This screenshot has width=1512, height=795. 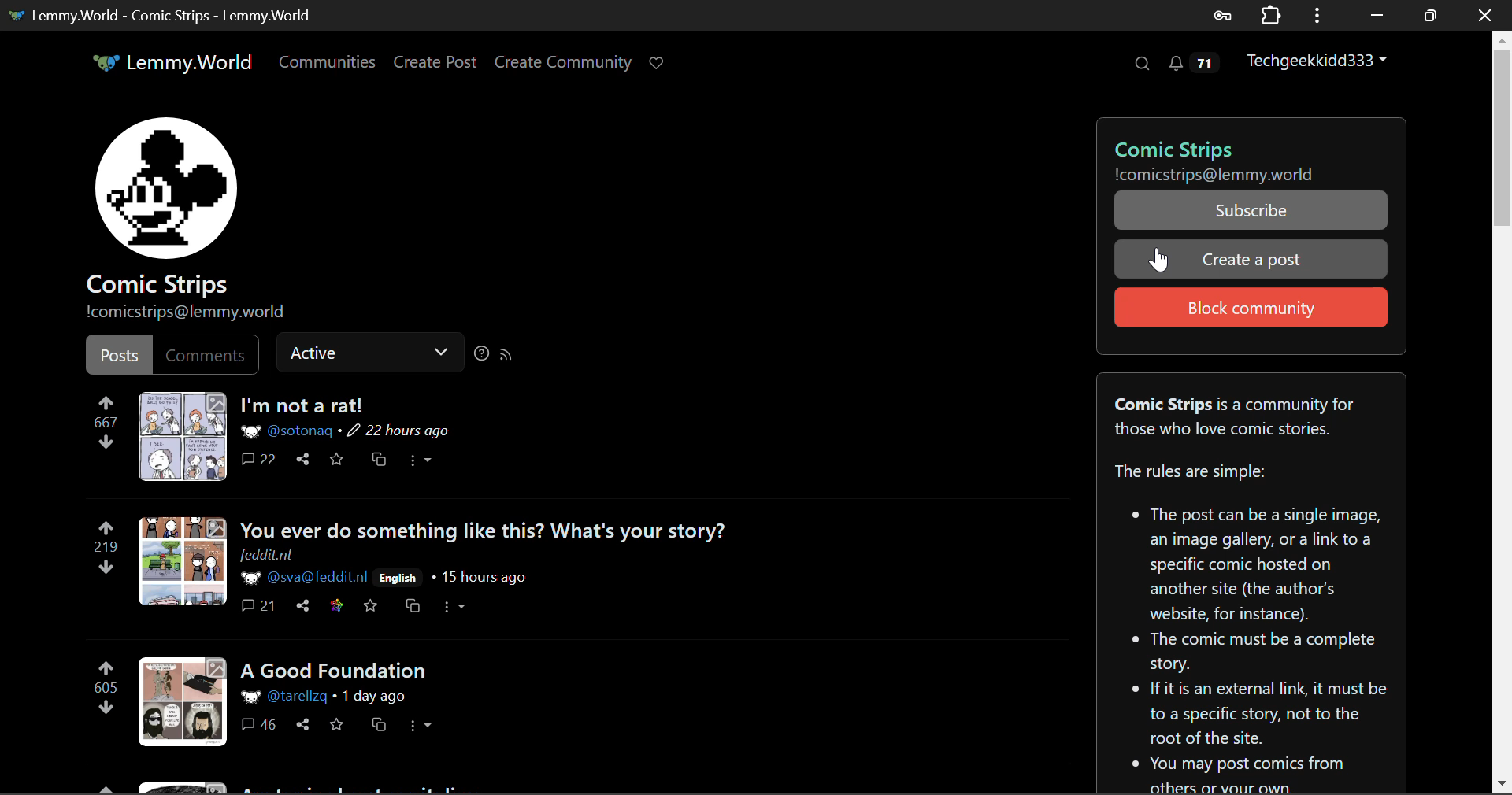 What do you see at coordinates (164, 15) in the screenshot?
I see `Lemmy.World - Comic Strips - Lemmy.World` at bounding box center [164, 15].